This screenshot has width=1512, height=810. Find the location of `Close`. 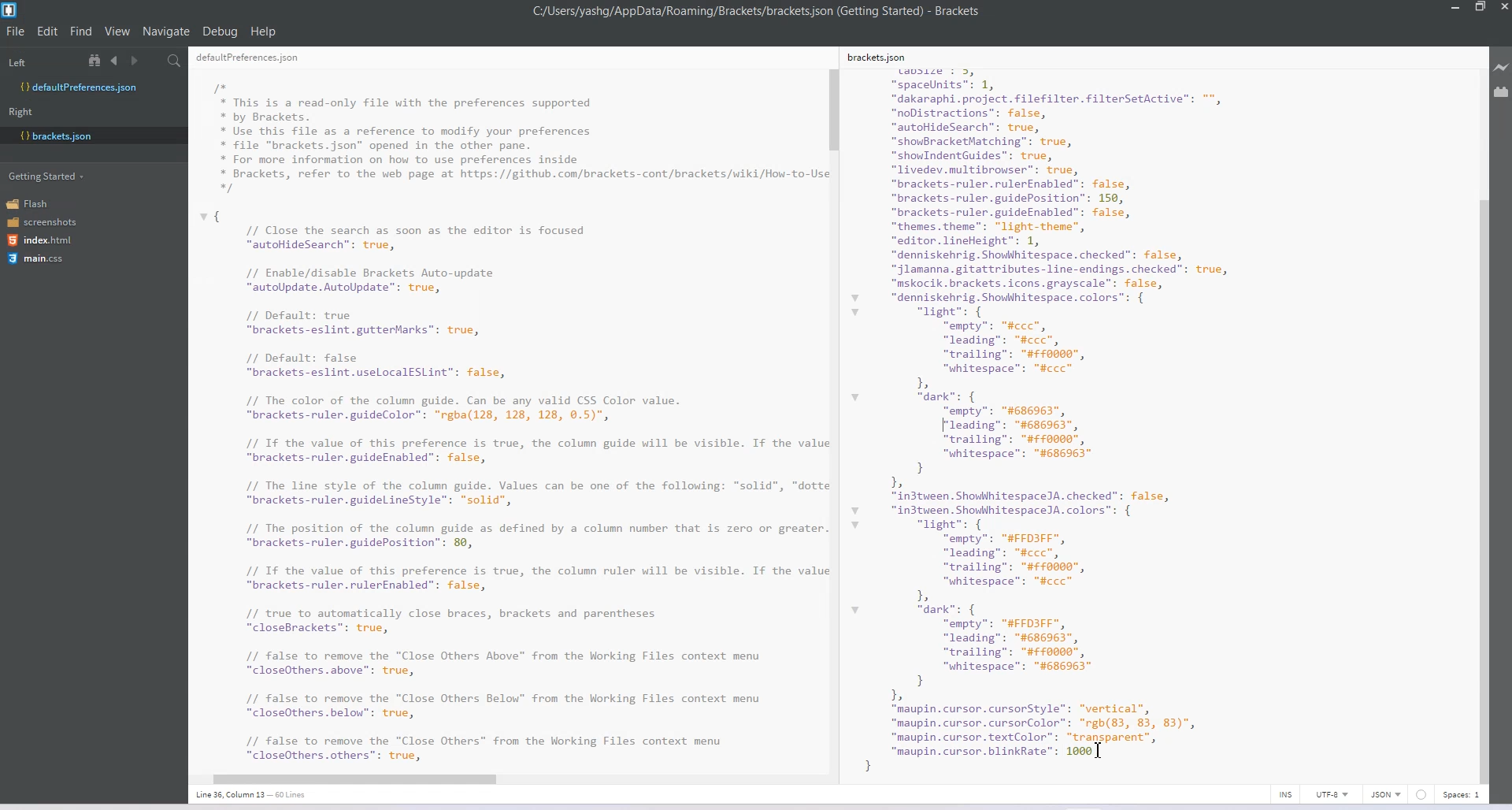

Close is located at coordinates (1503, 9).